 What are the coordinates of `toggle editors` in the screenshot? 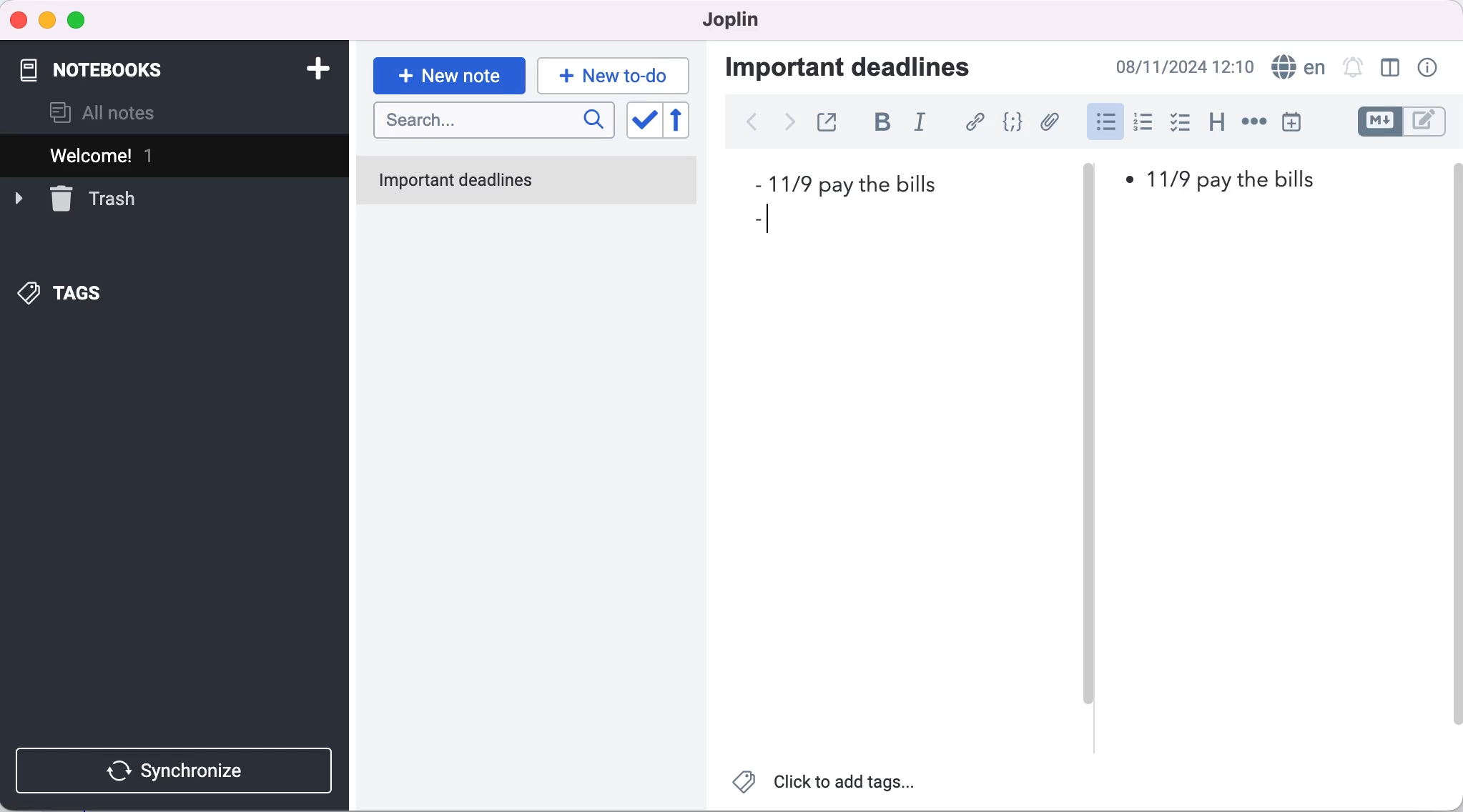 It's located at (1407, 124).